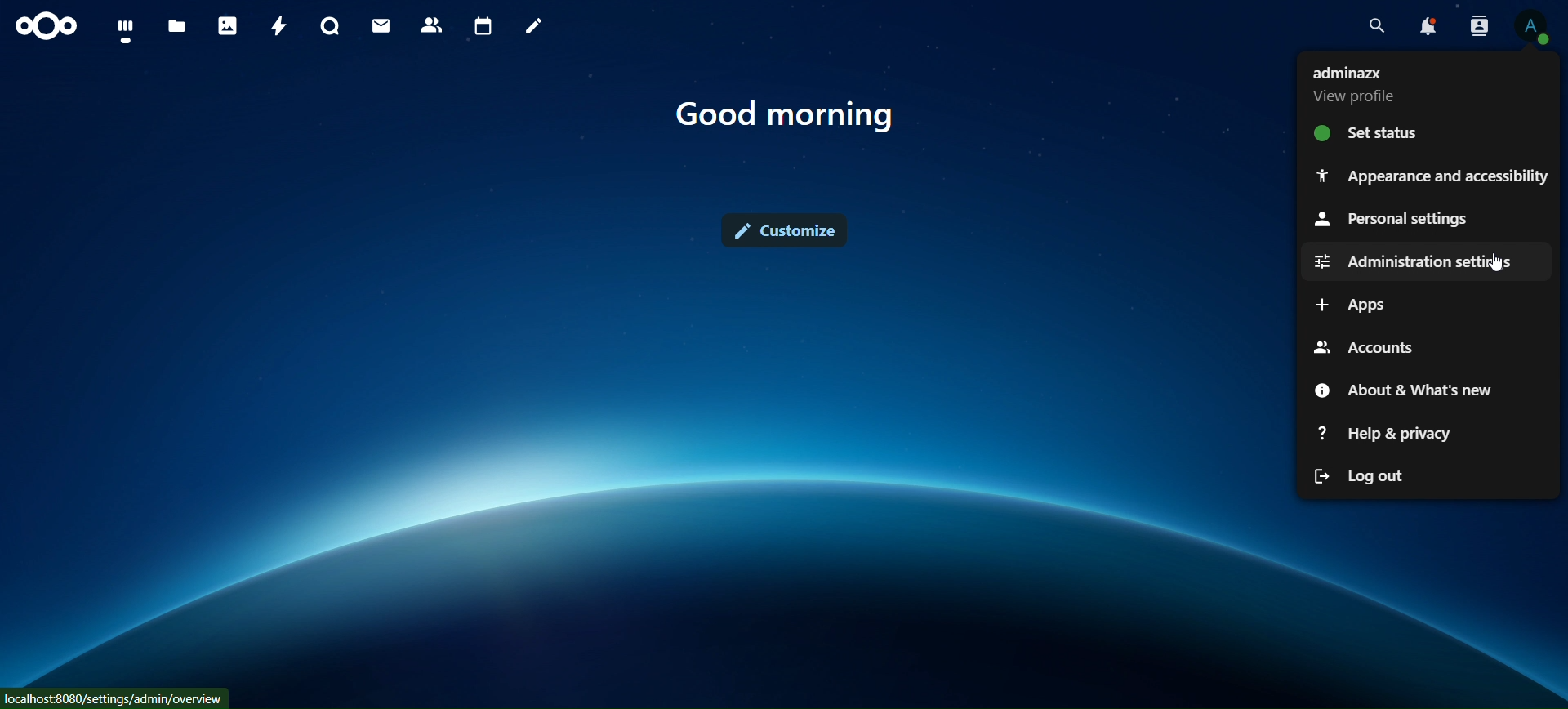 The height and width of the screenshot is (709, 1568). I want to click on files, so click(129, 32).